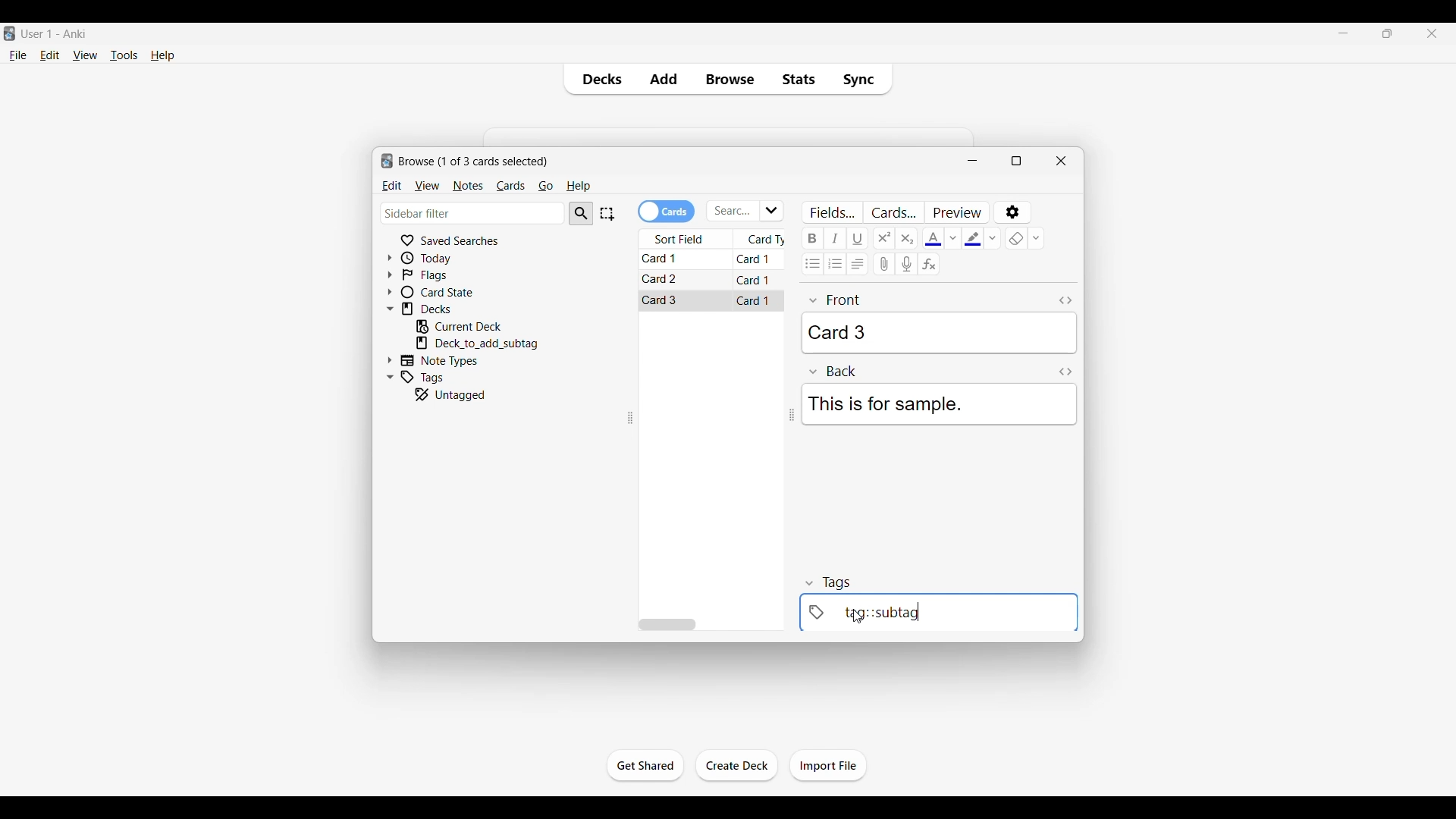 Image resolution: width=1456 pixels, height=819 pixels. I want to click on Close window, so click(1062, 161).